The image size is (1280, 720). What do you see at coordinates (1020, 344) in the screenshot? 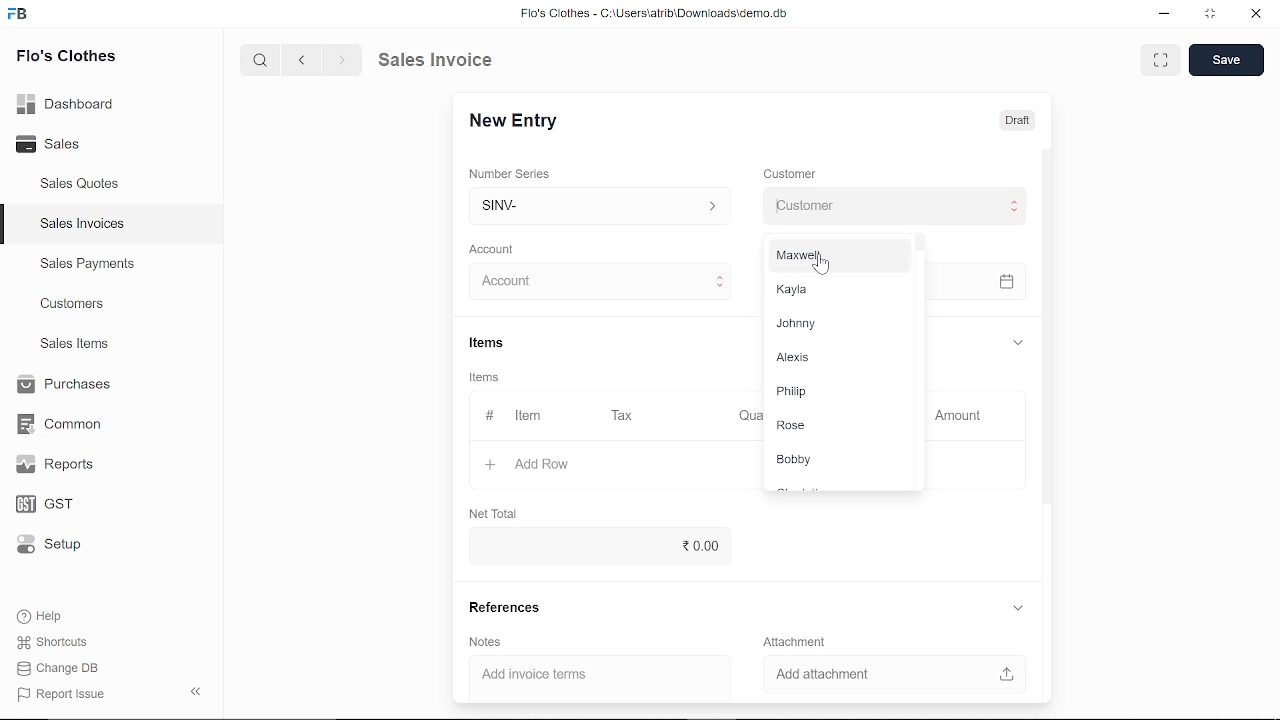
I see `expand` at bounding box center [1020, 344].